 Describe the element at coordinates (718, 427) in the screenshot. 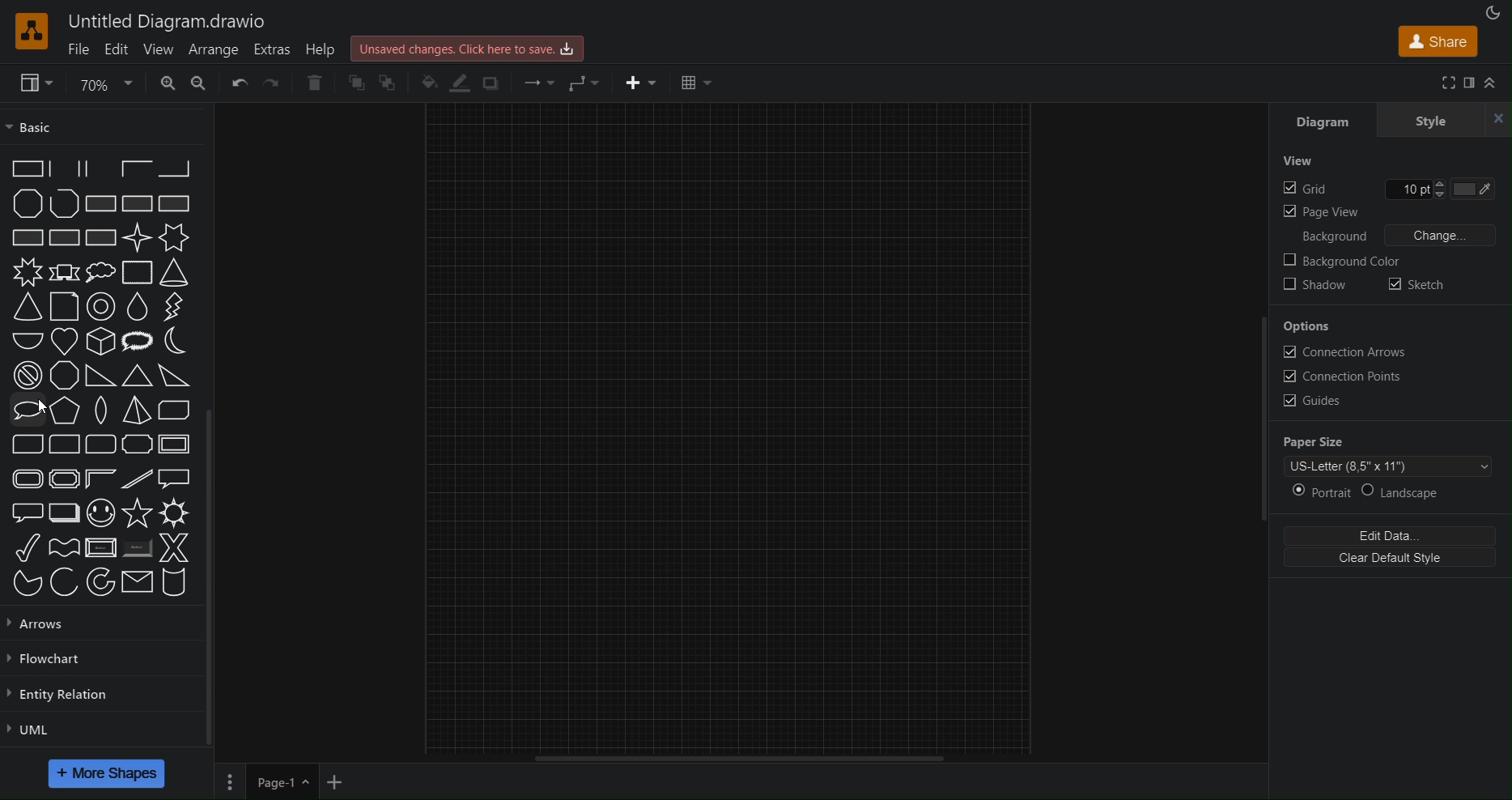

I see `Canvas` at that location.